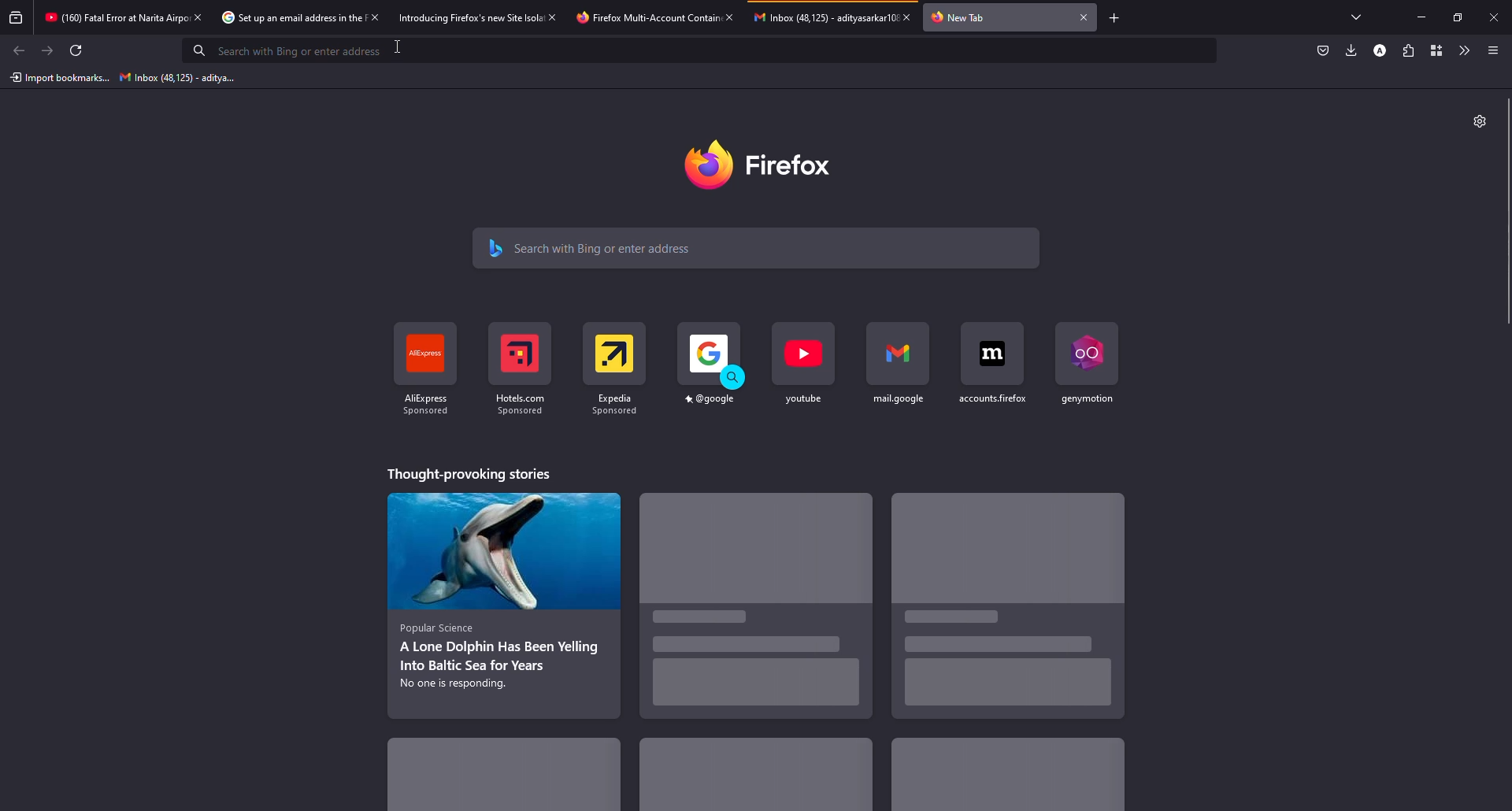 The image size is (1512, 811). What do you see at coordinates (17, 17) in the screenshot?
I see `view recent` at bounding box center [17, 17].